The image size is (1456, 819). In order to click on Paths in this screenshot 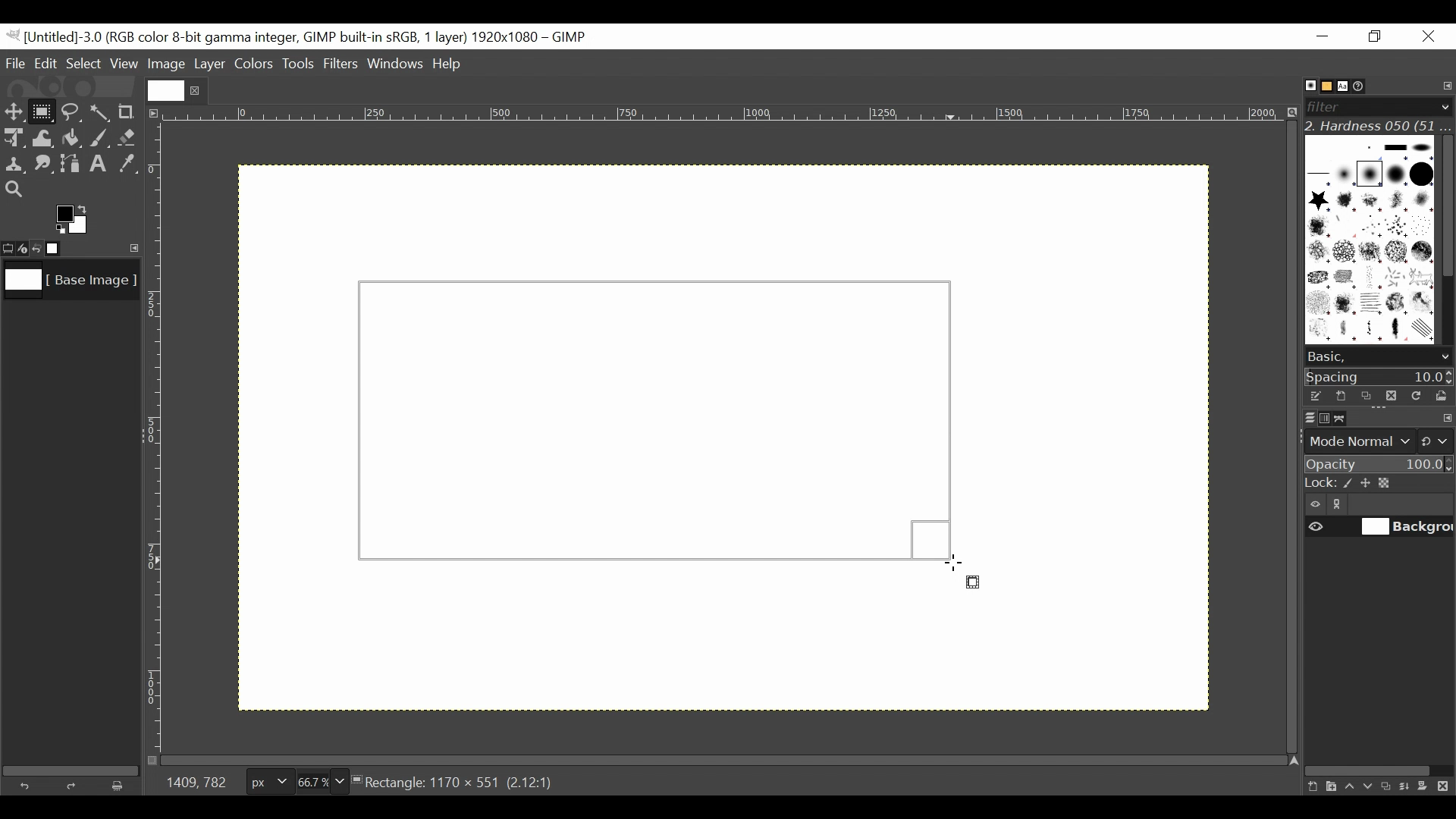, I will do `click(1344, 419)`.